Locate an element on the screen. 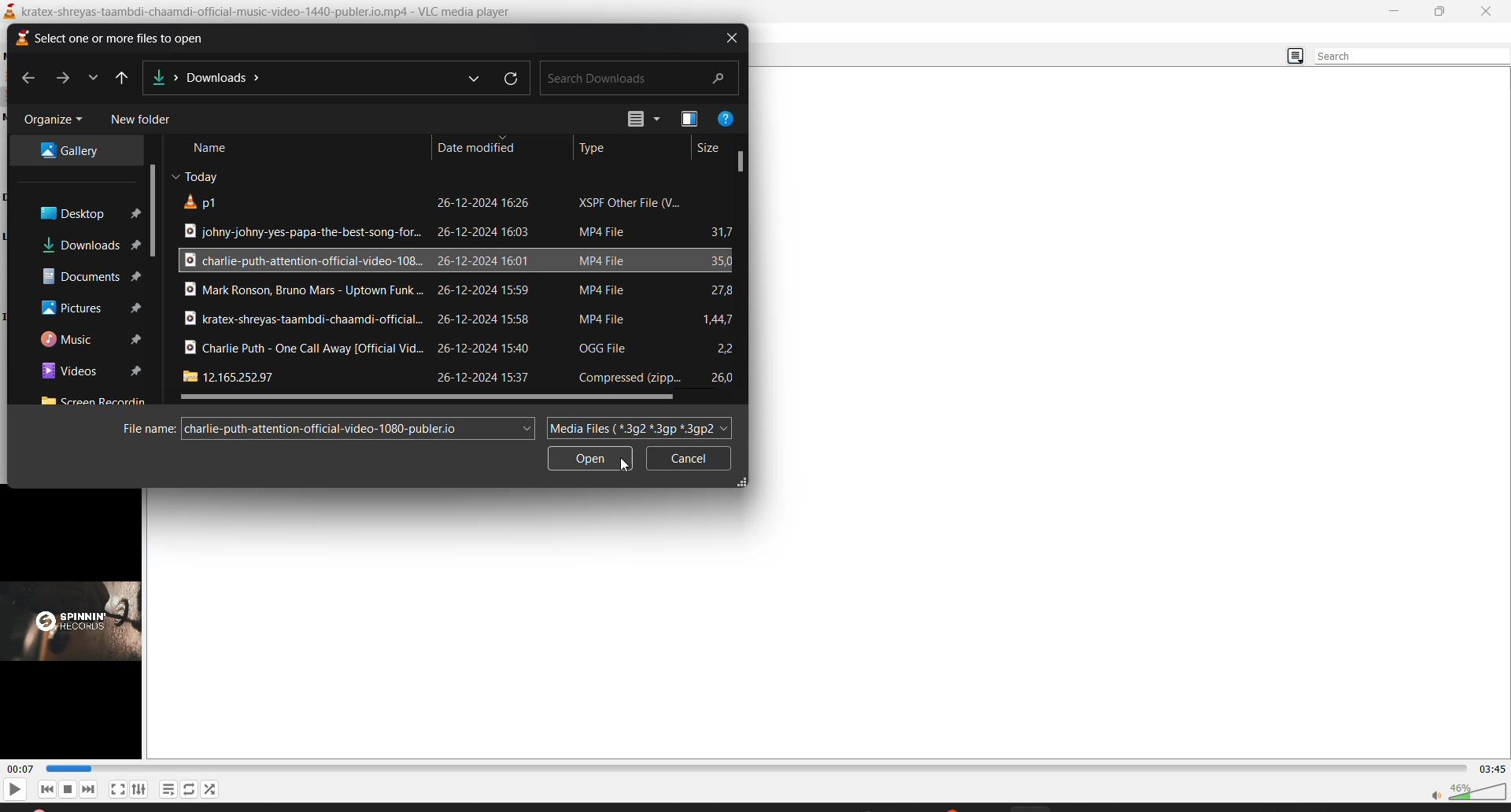 The image size is (1511, 812). type is located at coordinates (608, 150).